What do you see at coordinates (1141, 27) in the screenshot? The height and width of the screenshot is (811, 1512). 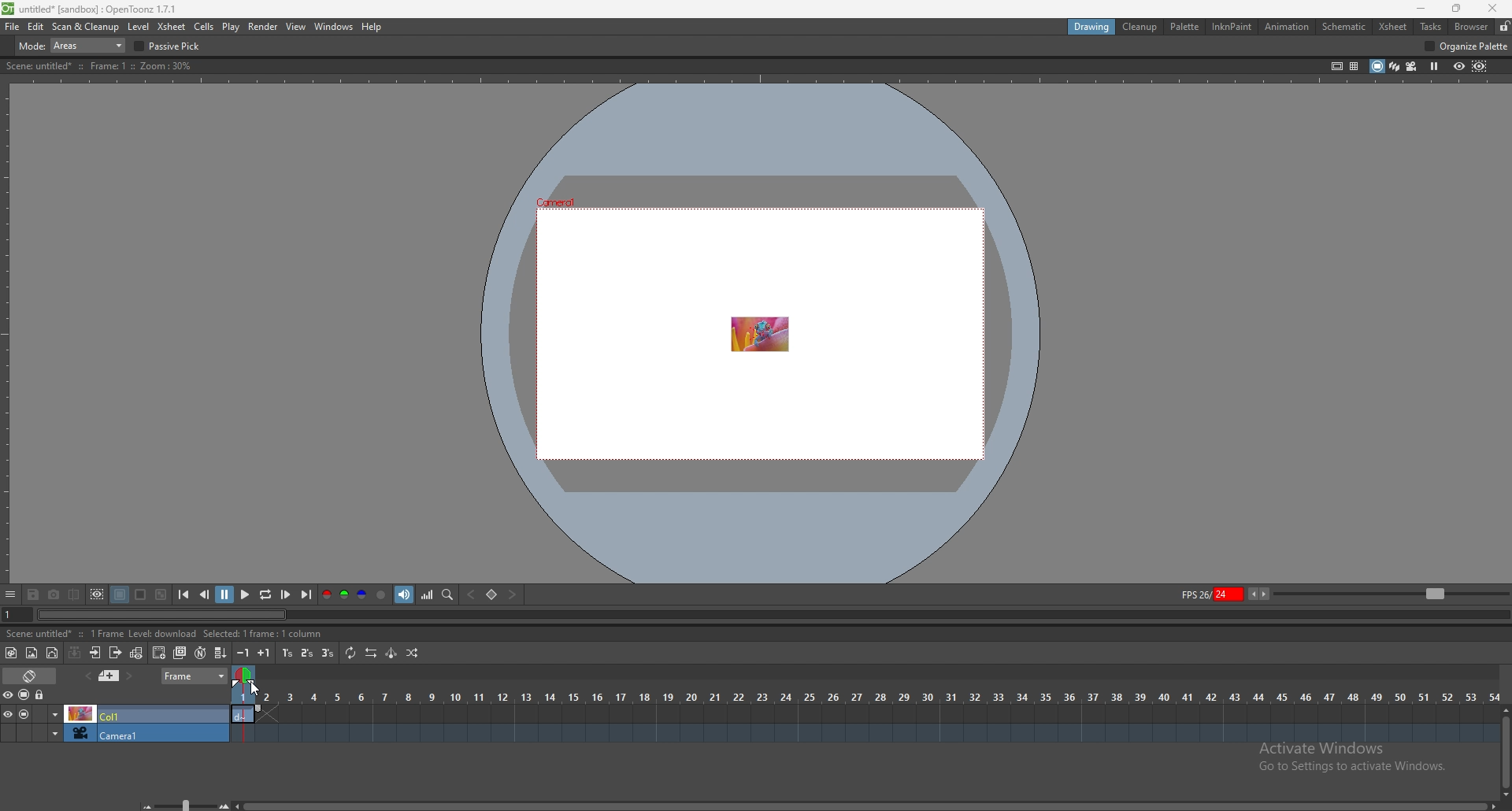 I see `cleanup` at bounding box center [1141, 27].